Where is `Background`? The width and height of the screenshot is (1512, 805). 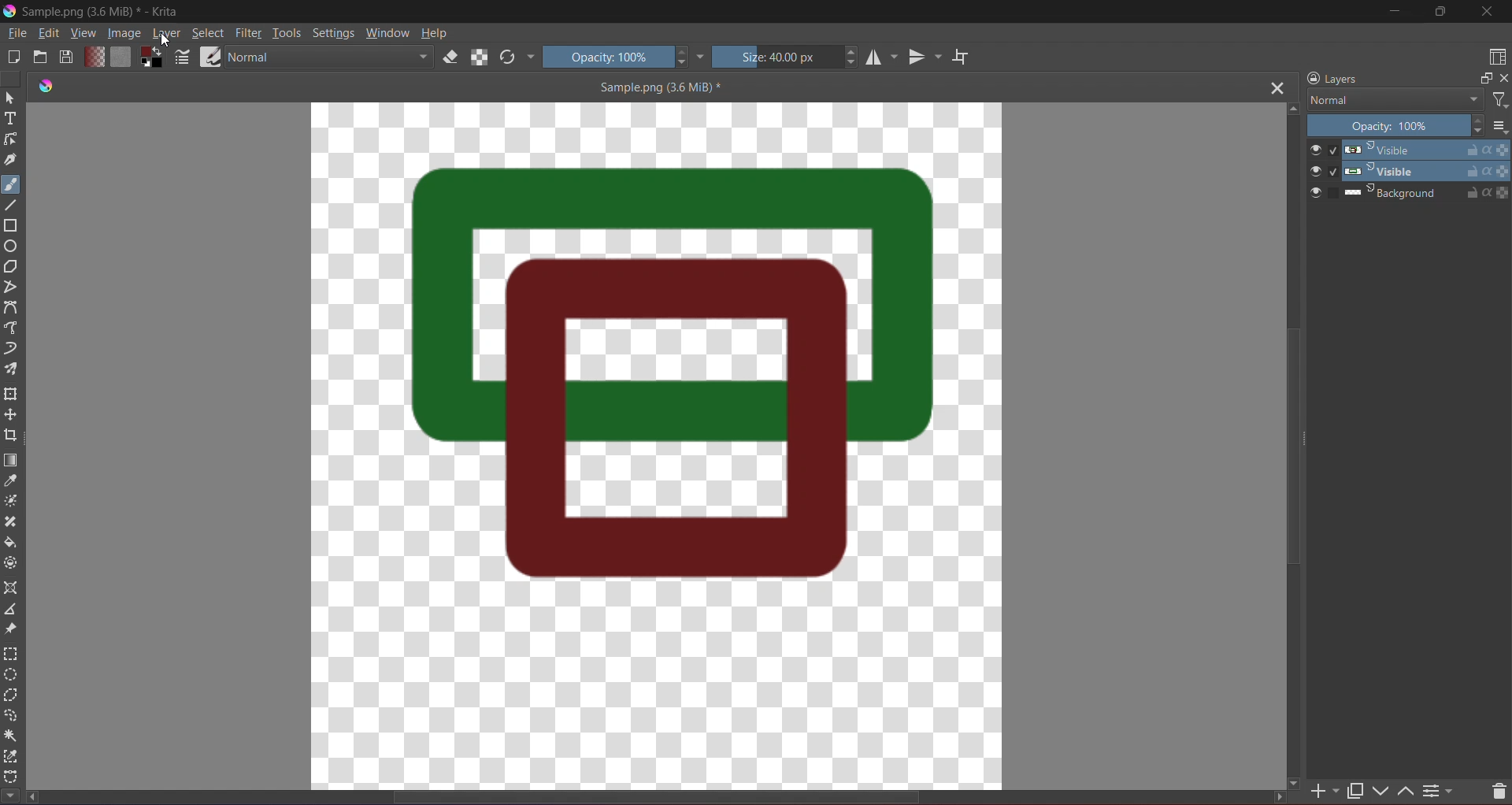 Background is located at coordinates (1410, 193).